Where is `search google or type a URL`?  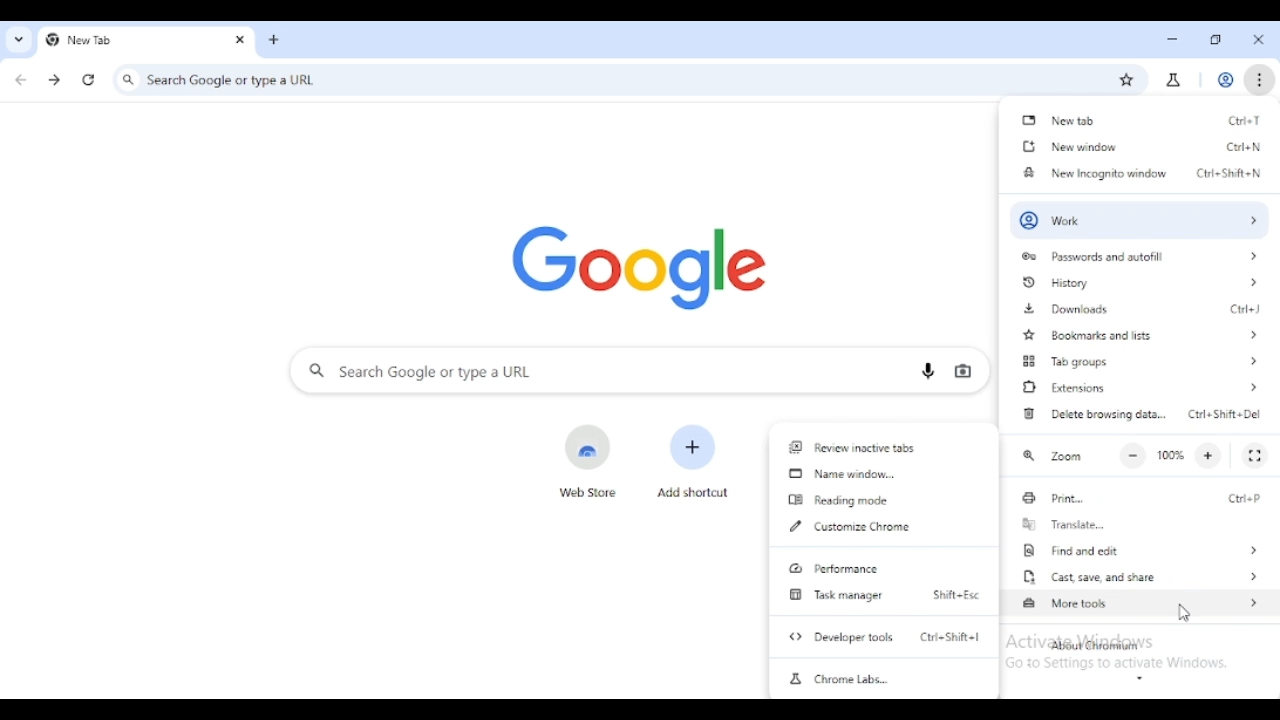 search google or type a URL is located at coordinates (598, 80).